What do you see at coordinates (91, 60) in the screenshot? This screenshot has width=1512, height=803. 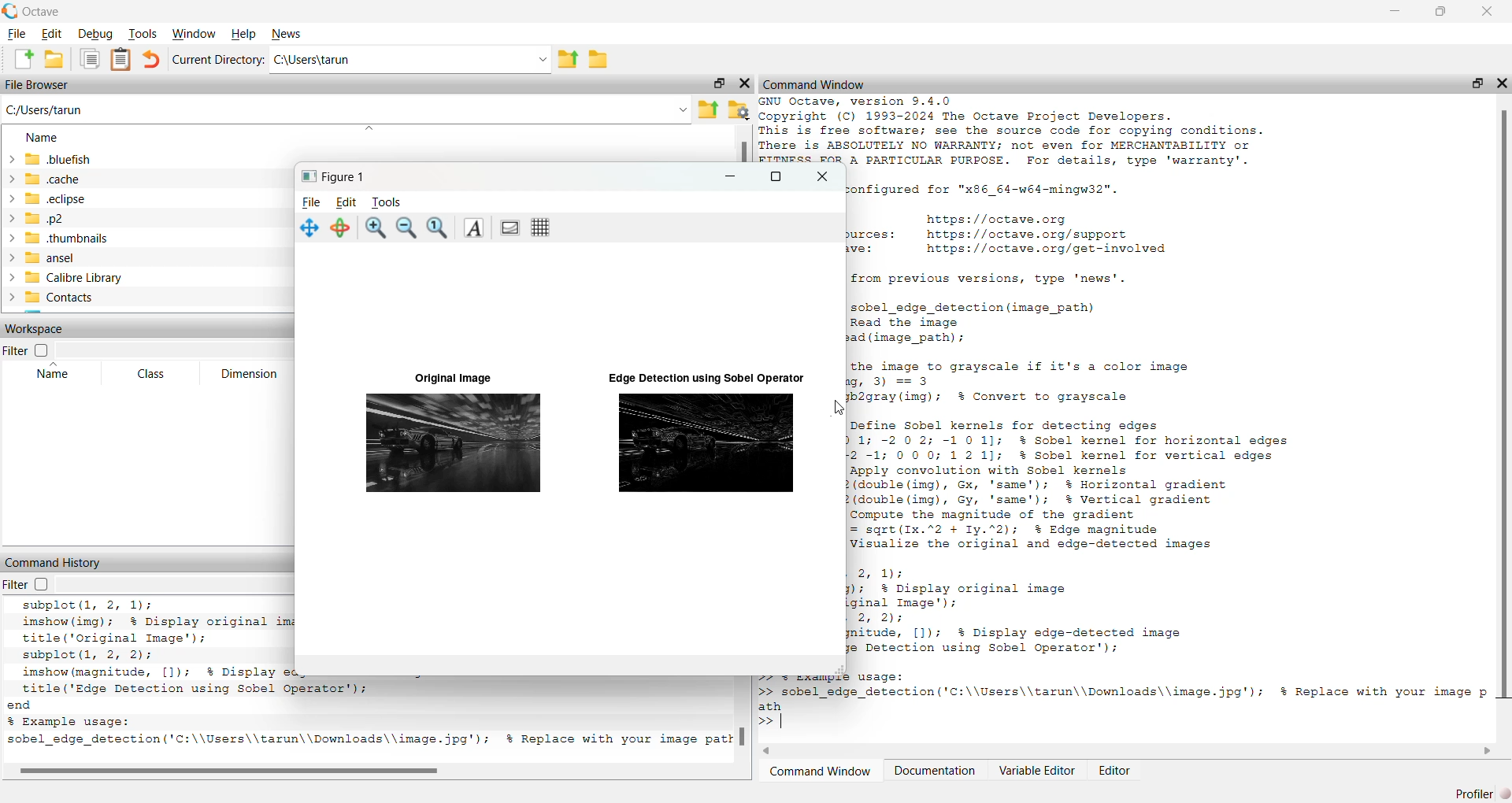 I see `documents` at bounding box center [91, 60].